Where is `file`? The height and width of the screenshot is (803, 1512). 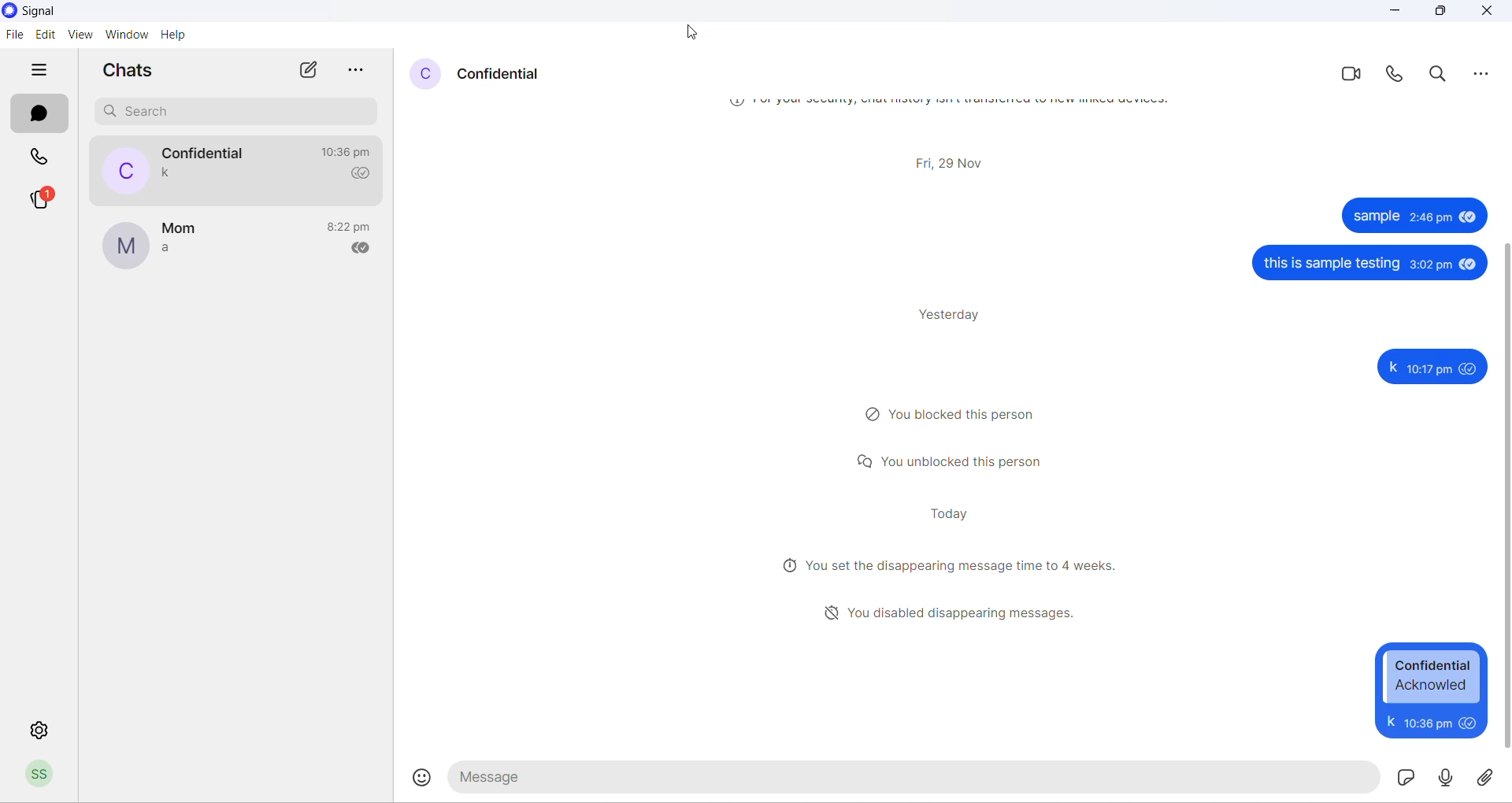
file is located at coordinates (17, 35).